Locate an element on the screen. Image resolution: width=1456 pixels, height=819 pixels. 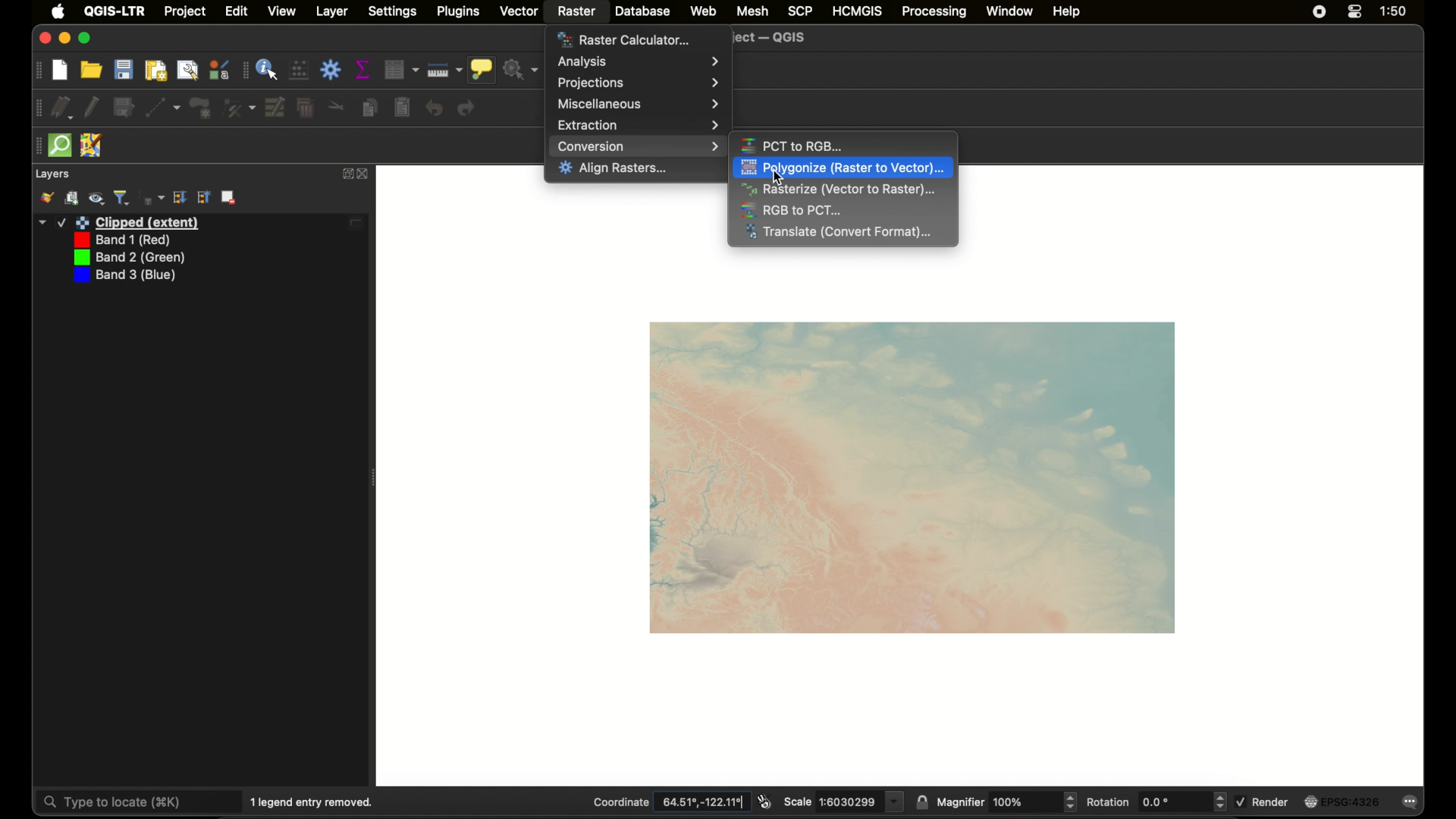
miscellaneous is located at coordinates (639, 104).